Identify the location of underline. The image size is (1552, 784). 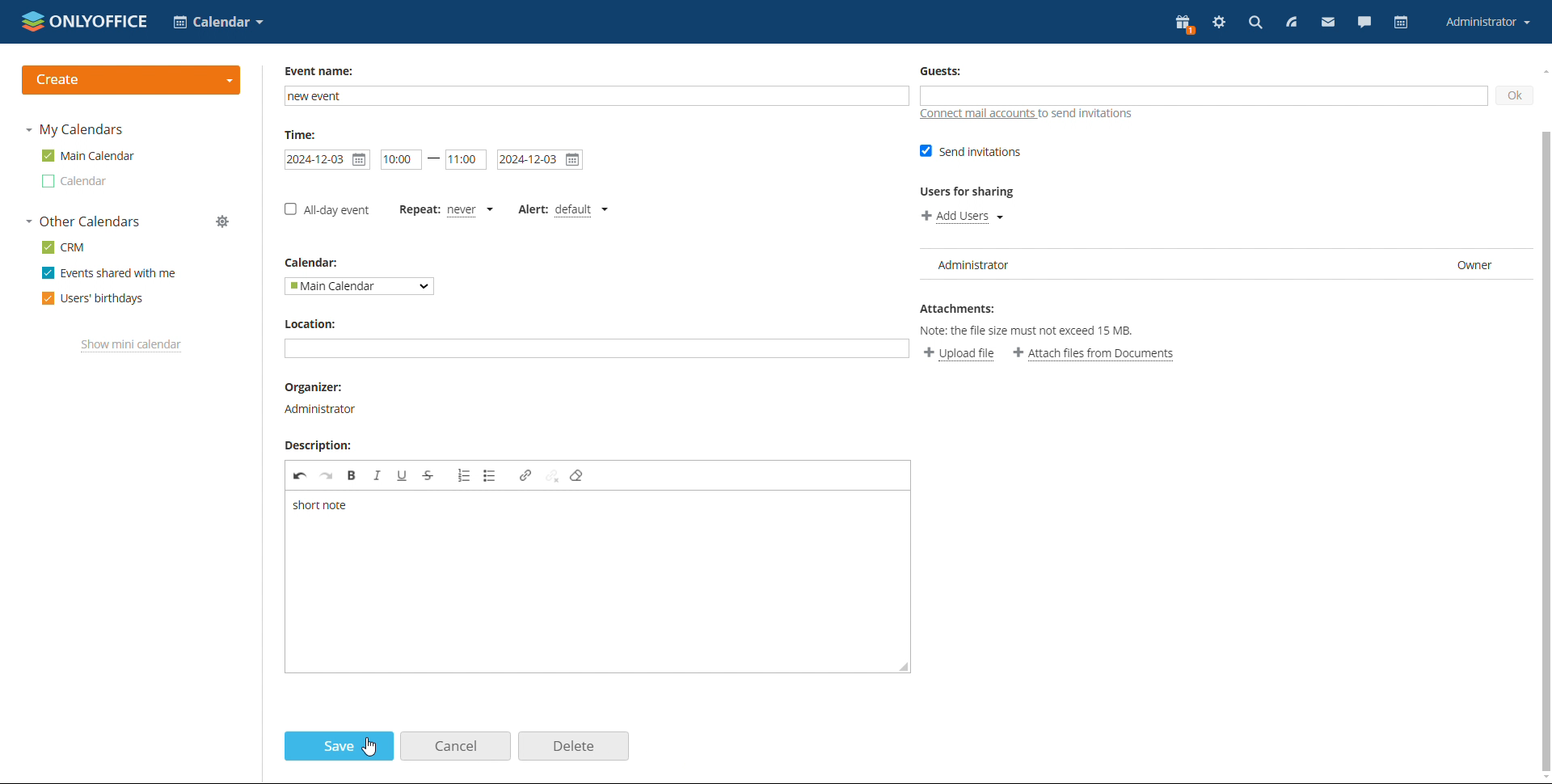
(399, 477).